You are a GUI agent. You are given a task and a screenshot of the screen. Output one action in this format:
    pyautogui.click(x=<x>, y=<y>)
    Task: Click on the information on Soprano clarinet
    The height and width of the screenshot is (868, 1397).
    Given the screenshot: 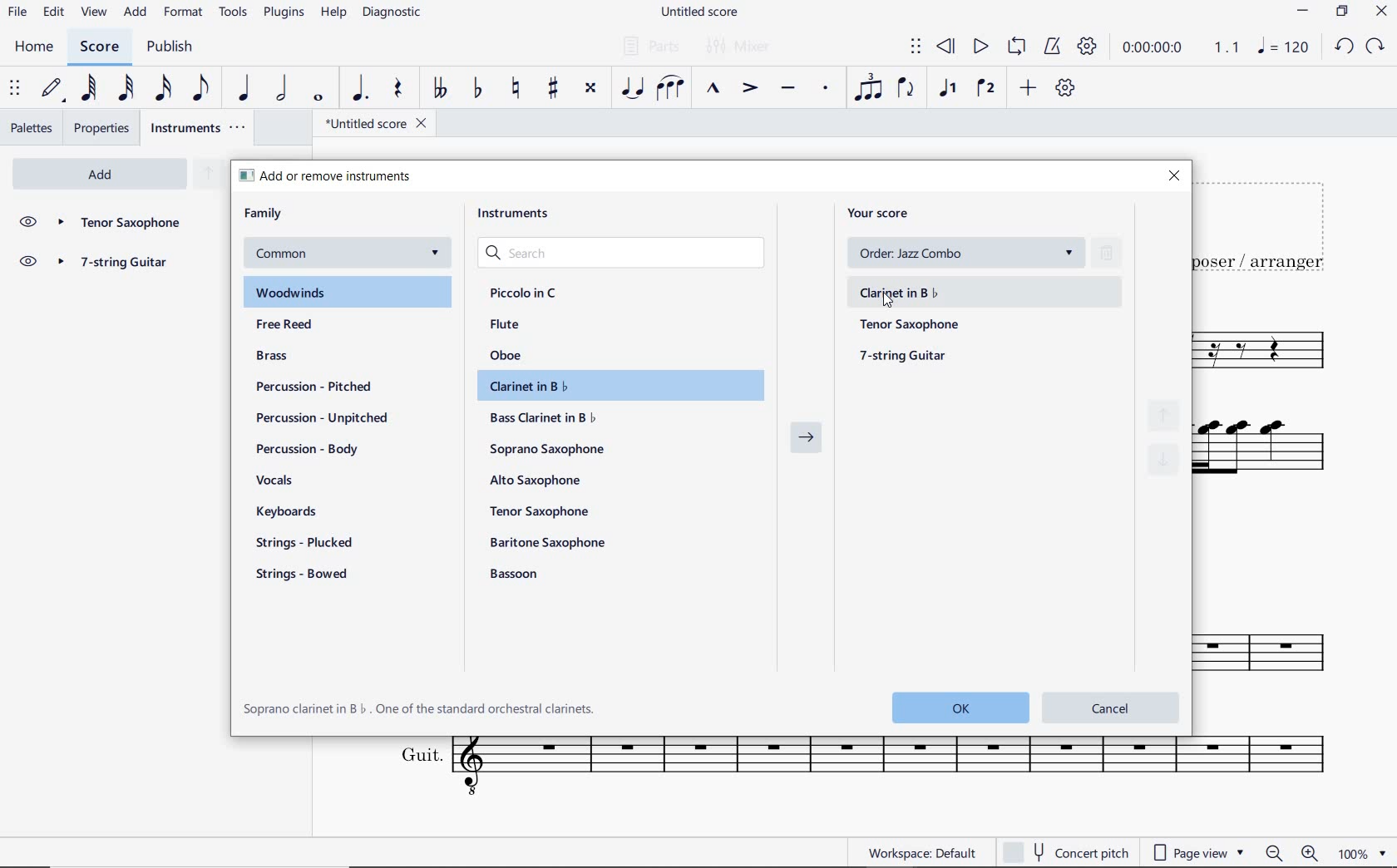 What is the action you would take?
    pyautogui.click(x=420, y=708)
    